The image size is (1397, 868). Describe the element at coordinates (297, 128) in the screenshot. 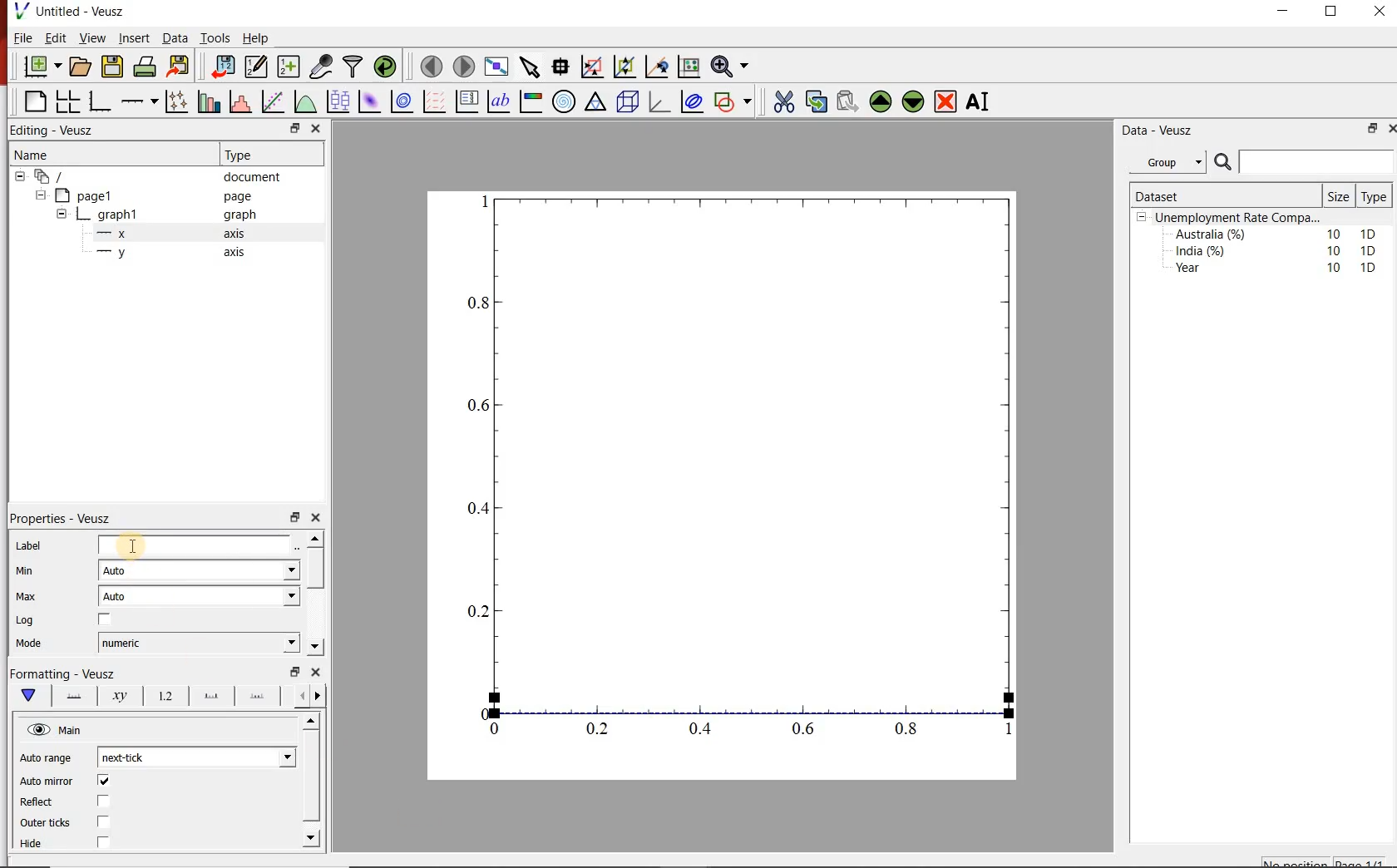

I see `minimise` at that location.